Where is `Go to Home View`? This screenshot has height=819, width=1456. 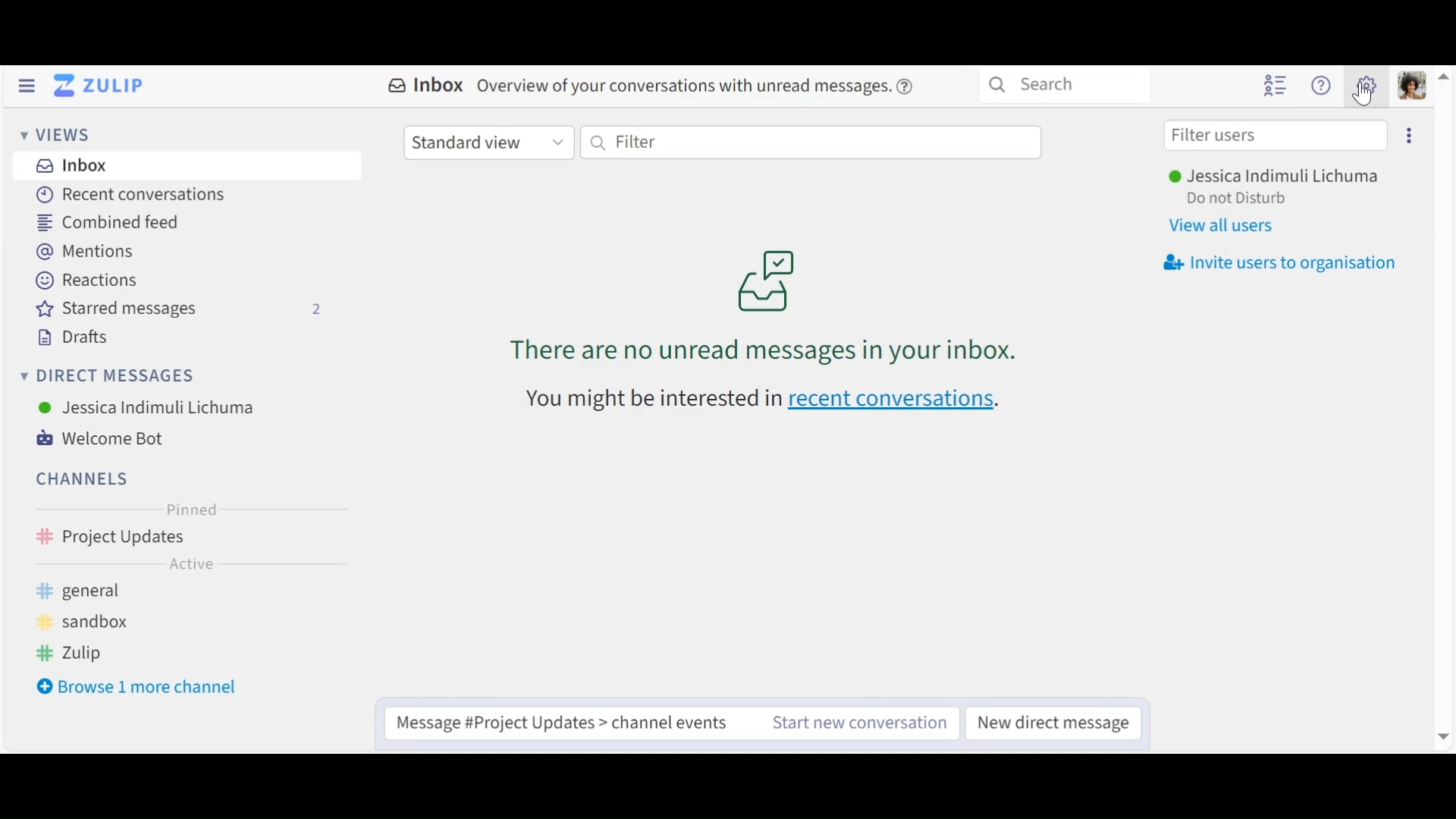 Go to Home View is located at coordinates (104, 86).